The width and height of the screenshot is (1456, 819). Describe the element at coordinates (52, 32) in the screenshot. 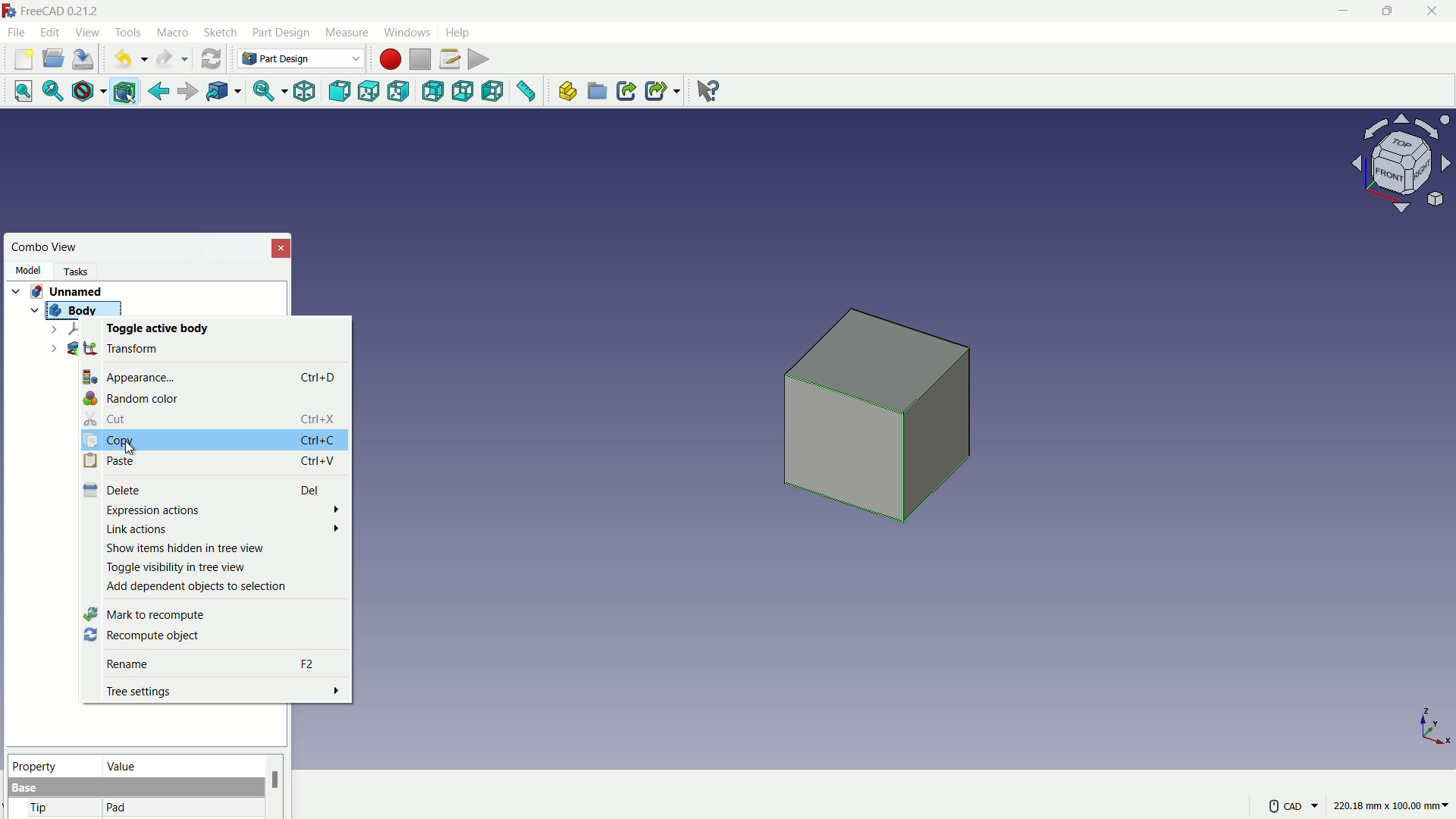

I see `edit` at that location.